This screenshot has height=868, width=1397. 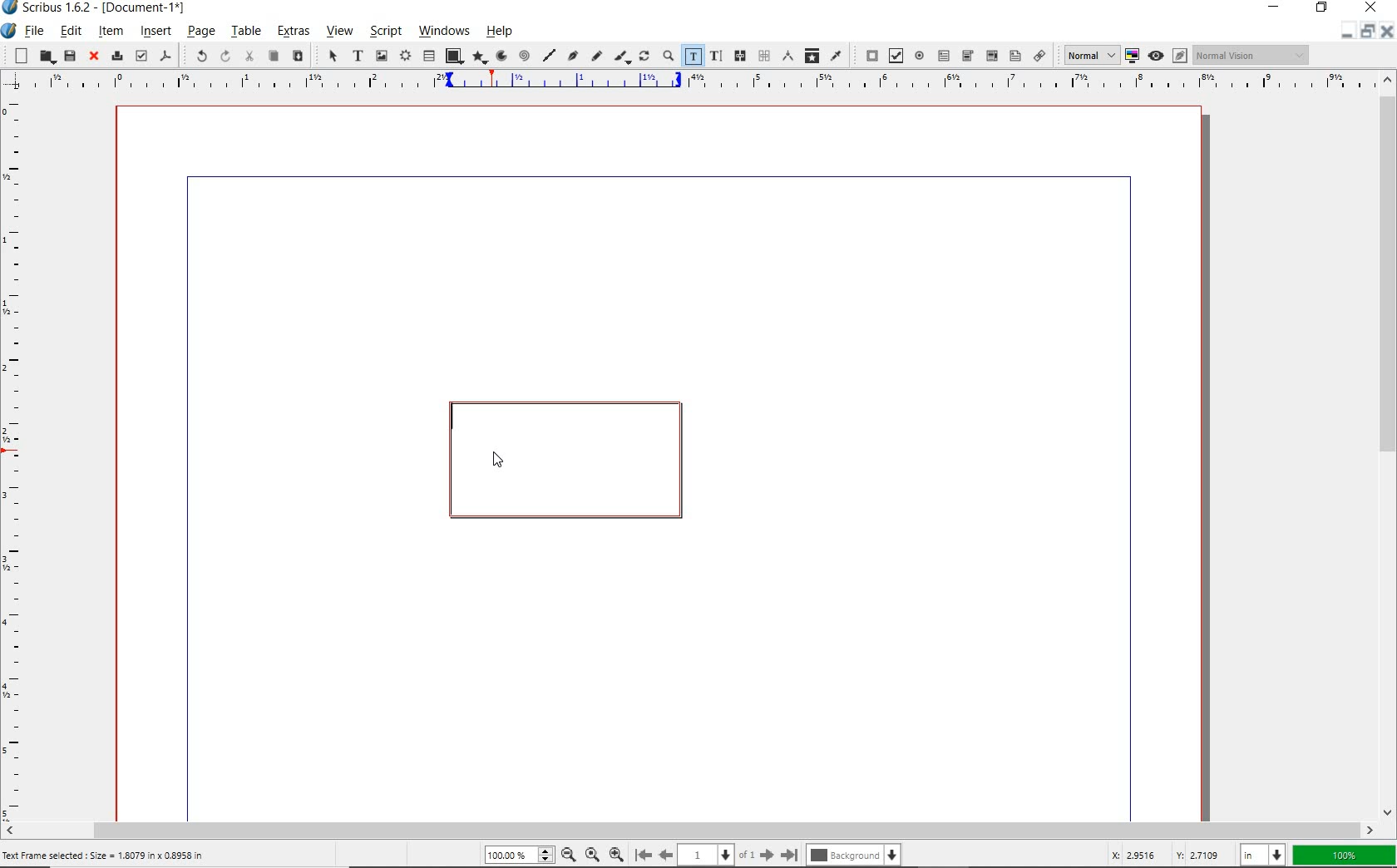 I want to click on Horizontal Margins, so click(x=698, y=81).